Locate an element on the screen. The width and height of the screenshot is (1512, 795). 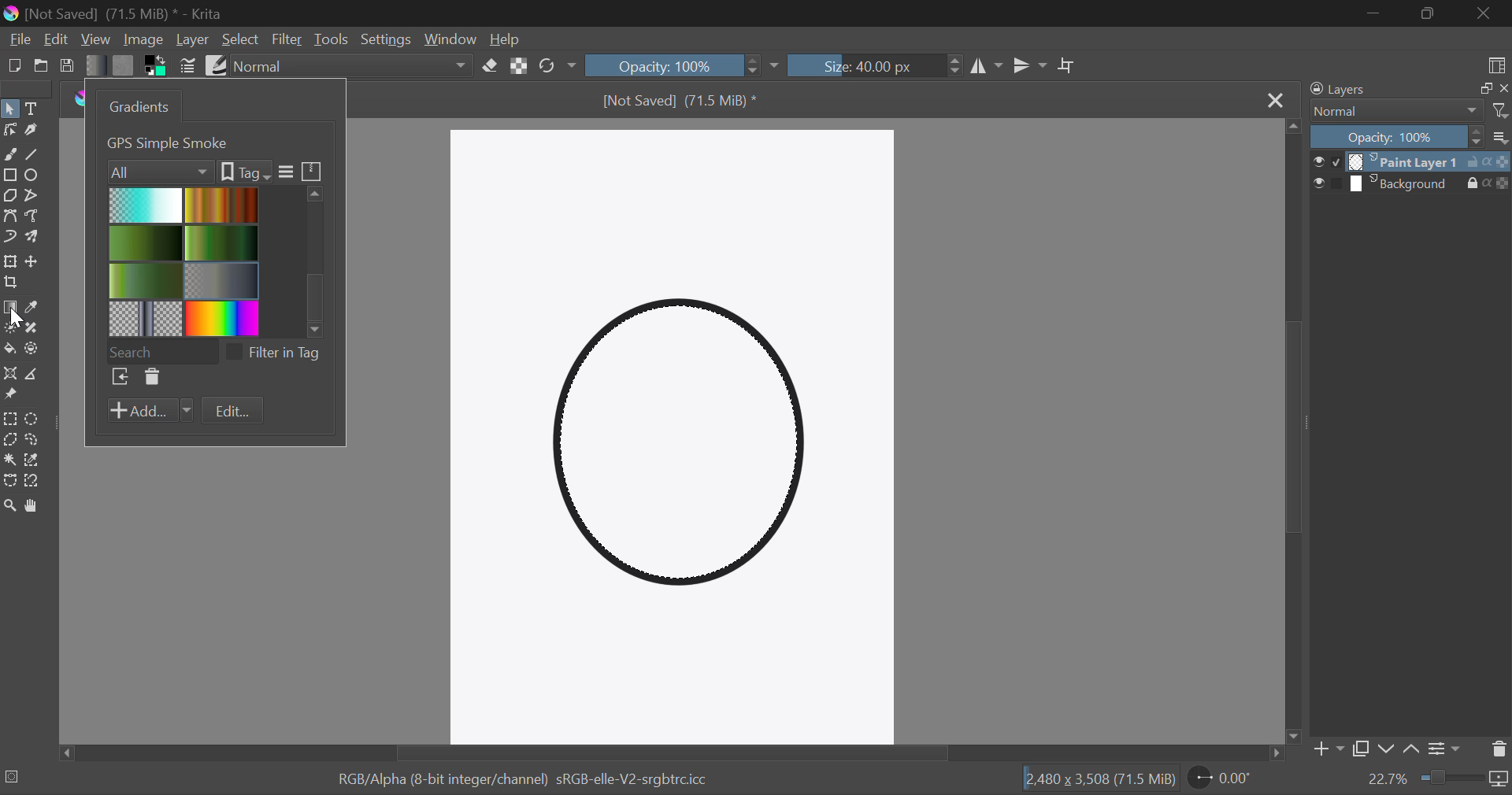
Elipses is located at coordinates (36, 176).